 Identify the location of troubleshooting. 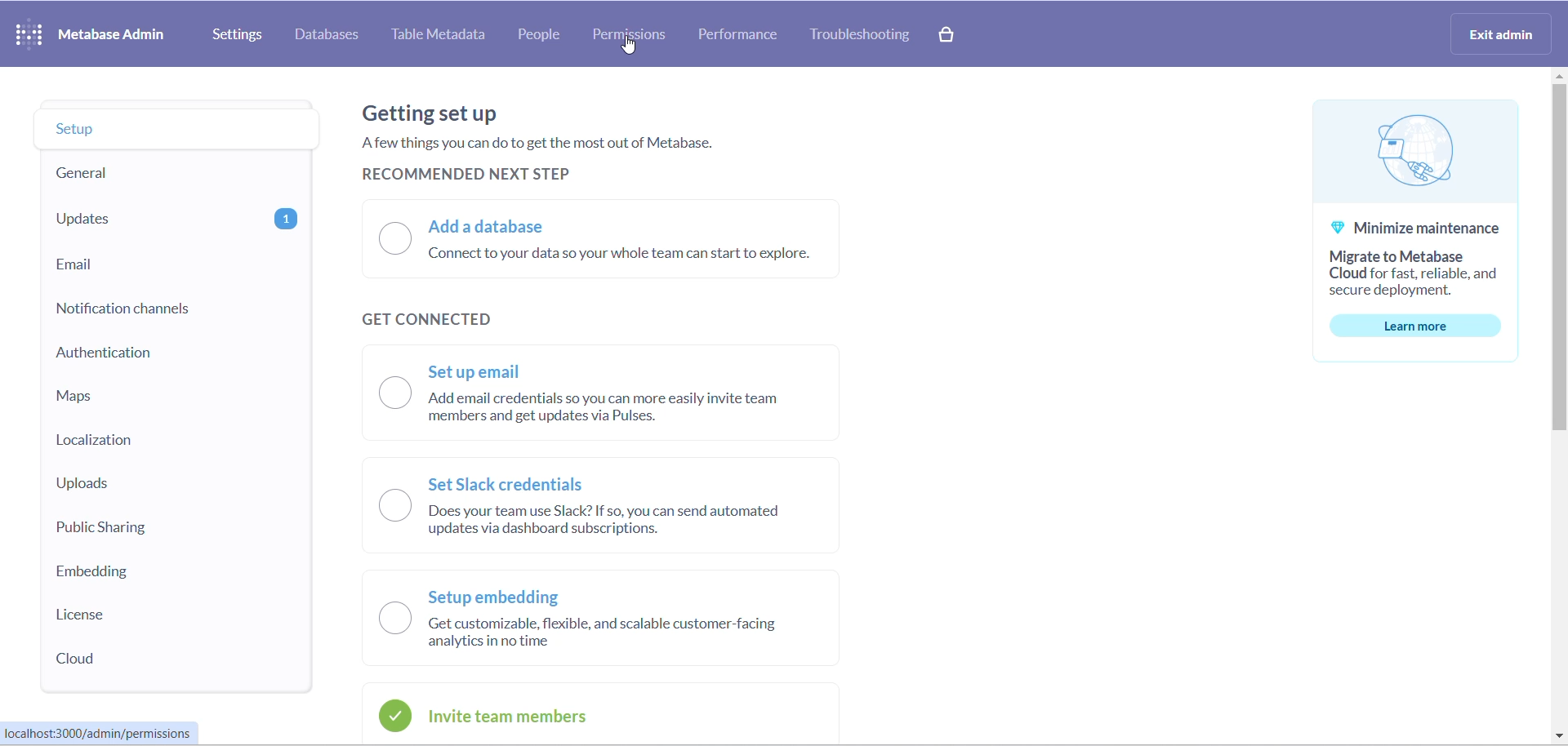
(868, 37).